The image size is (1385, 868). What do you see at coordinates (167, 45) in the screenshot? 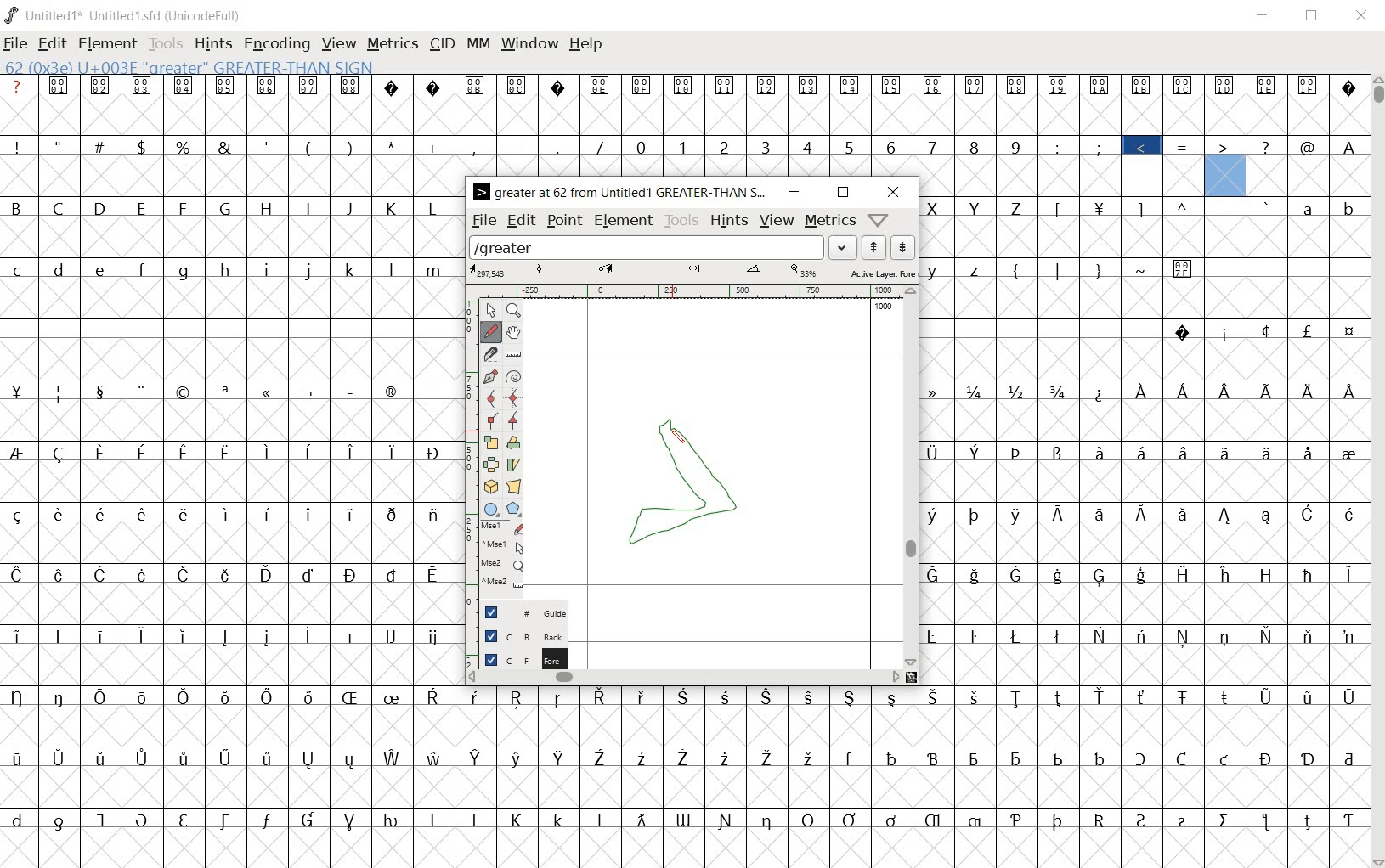
I see `tools` at bounding box center [167, 45].